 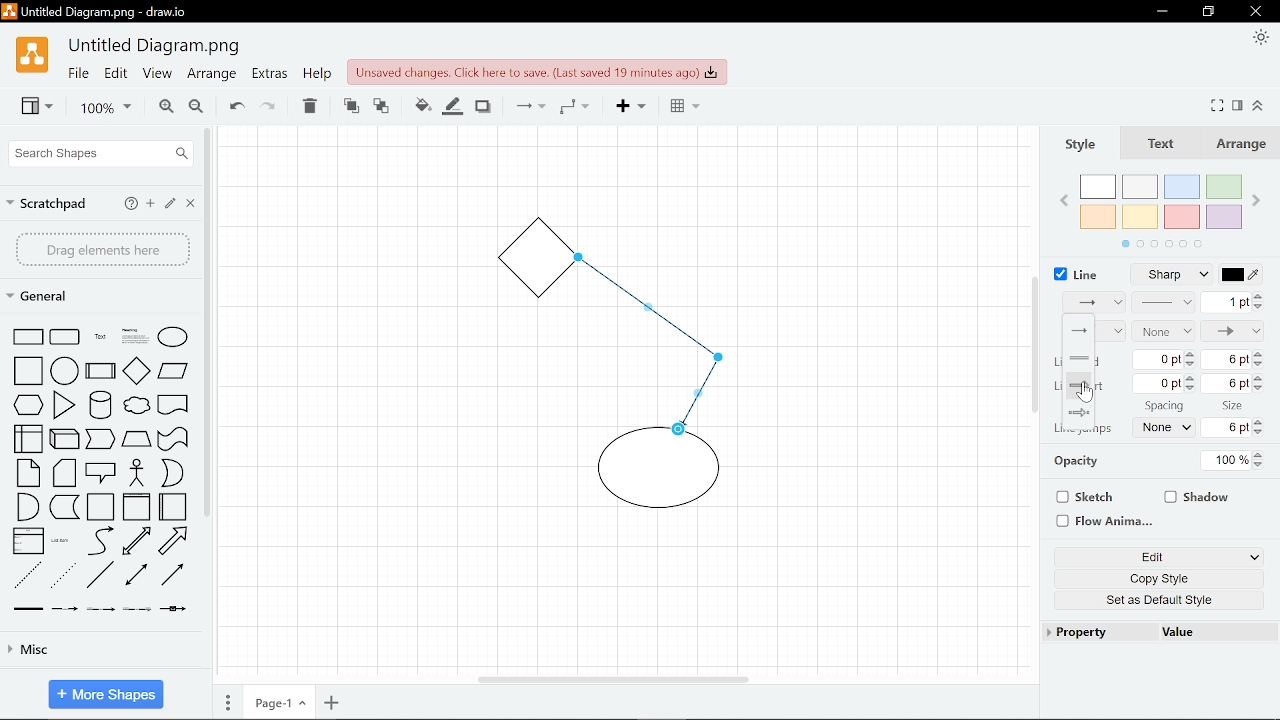 I want to click on shape, so click(x=99, y=540).